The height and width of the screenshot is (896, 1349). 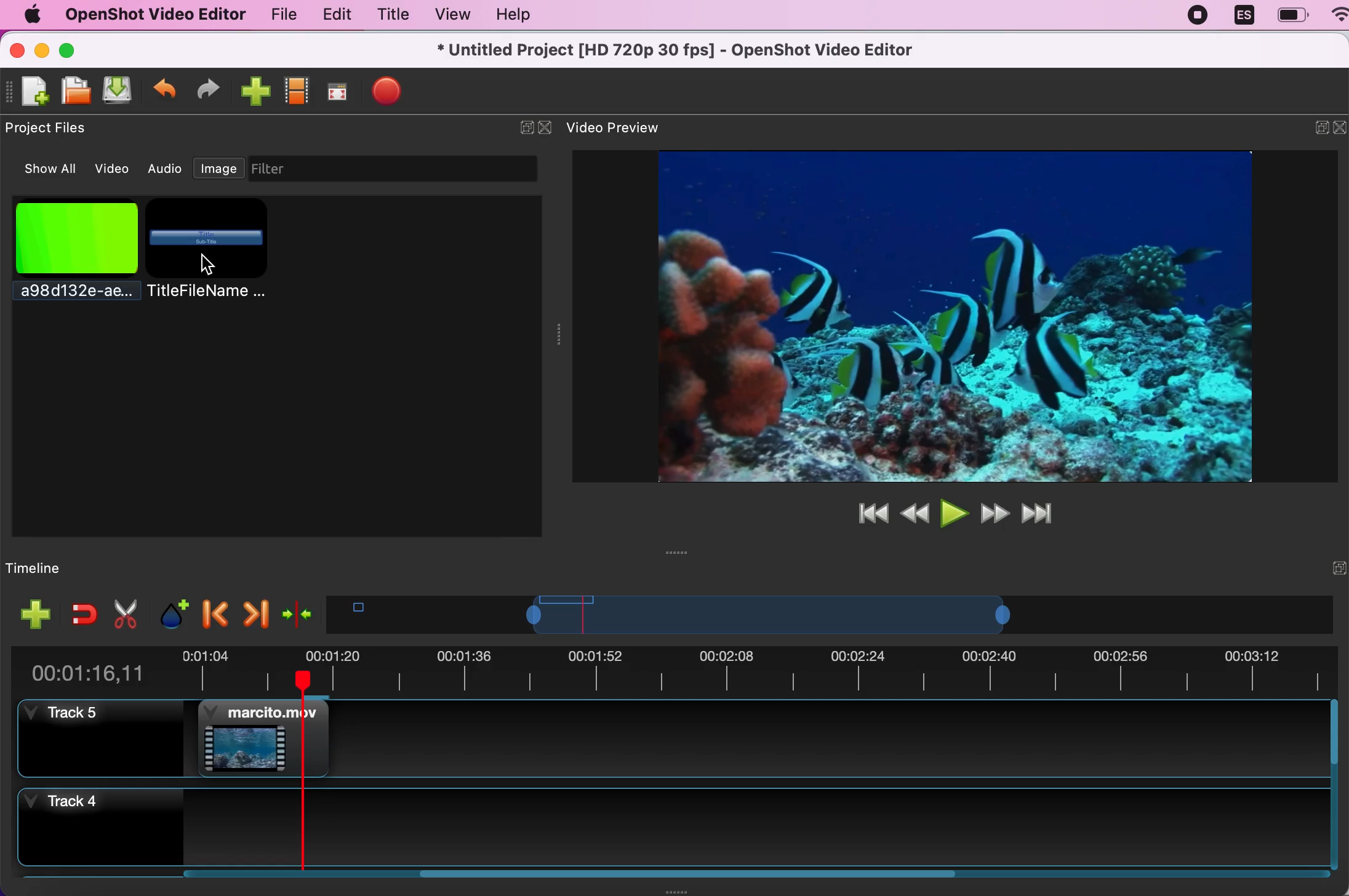 What do you see at coordinates (572, 879) in the screenshot?
I see `scroll bar` at bounding box center [572, 879].